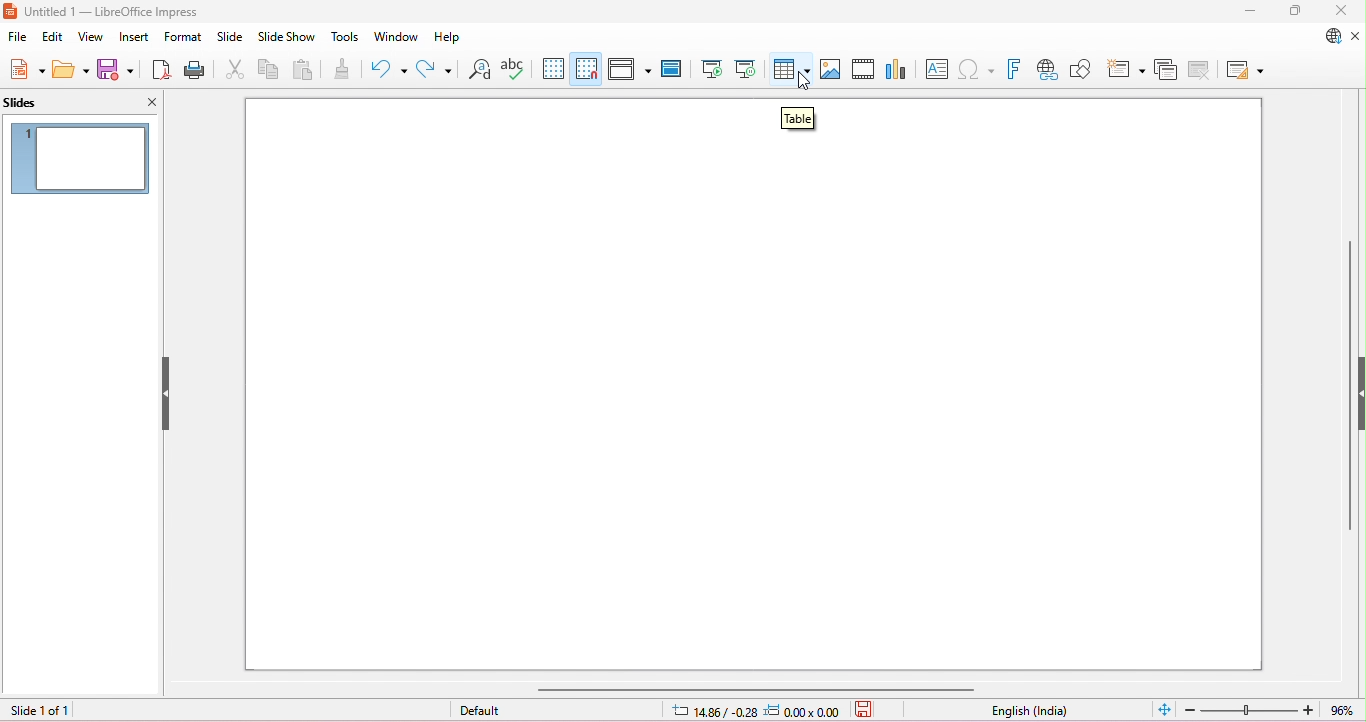 The height and width of the screenshot is (722, 1366). Describe the element at coordinates (397, 37) in the screenshot. I see `window` at that location.